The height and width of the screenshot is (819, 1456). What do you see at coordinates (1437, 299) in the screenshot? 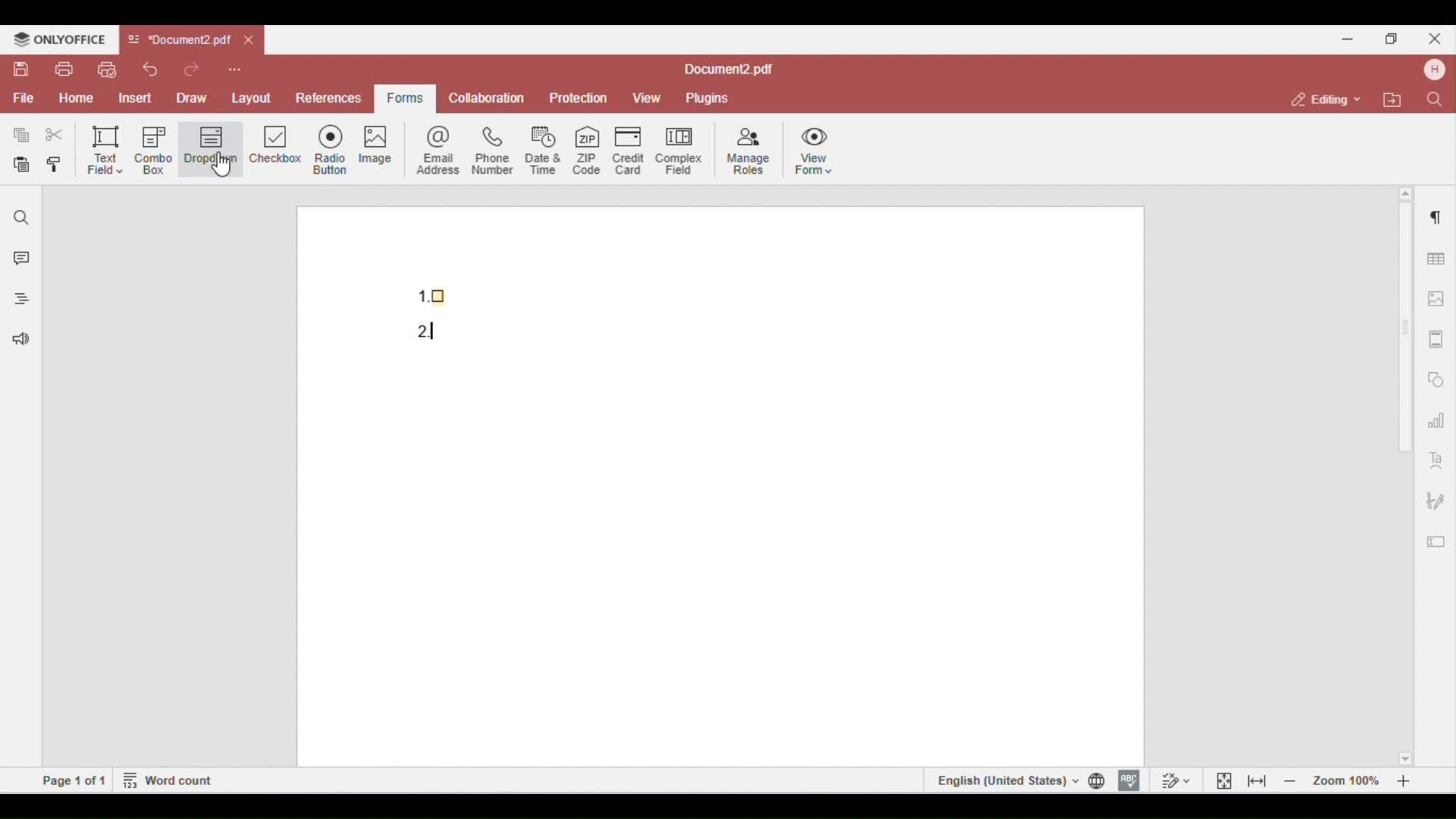
I see `image settings` at bounding box center [1437, 299].